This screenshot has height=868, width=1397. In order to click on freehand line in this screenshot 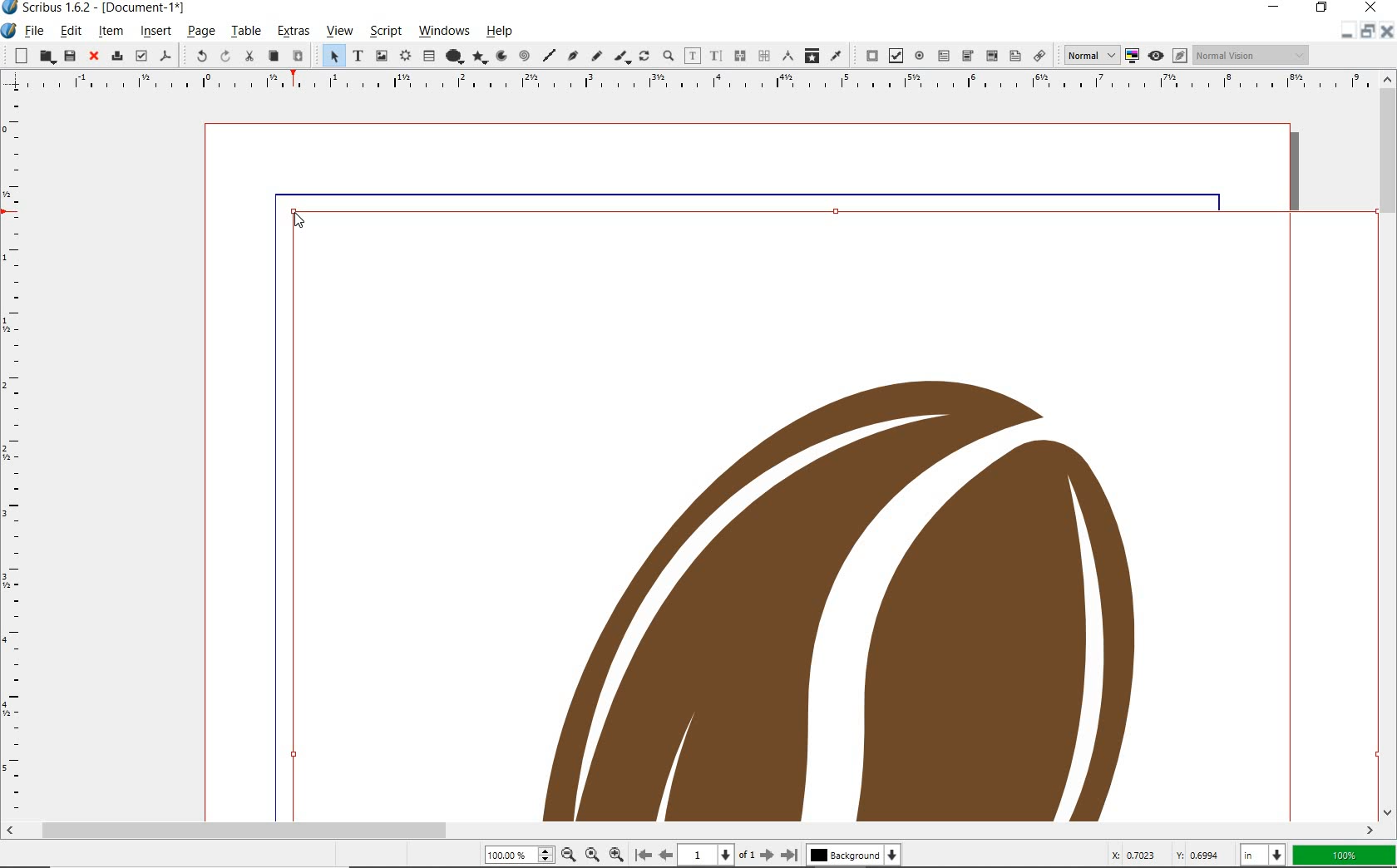, I will do `click(595, 55)`.